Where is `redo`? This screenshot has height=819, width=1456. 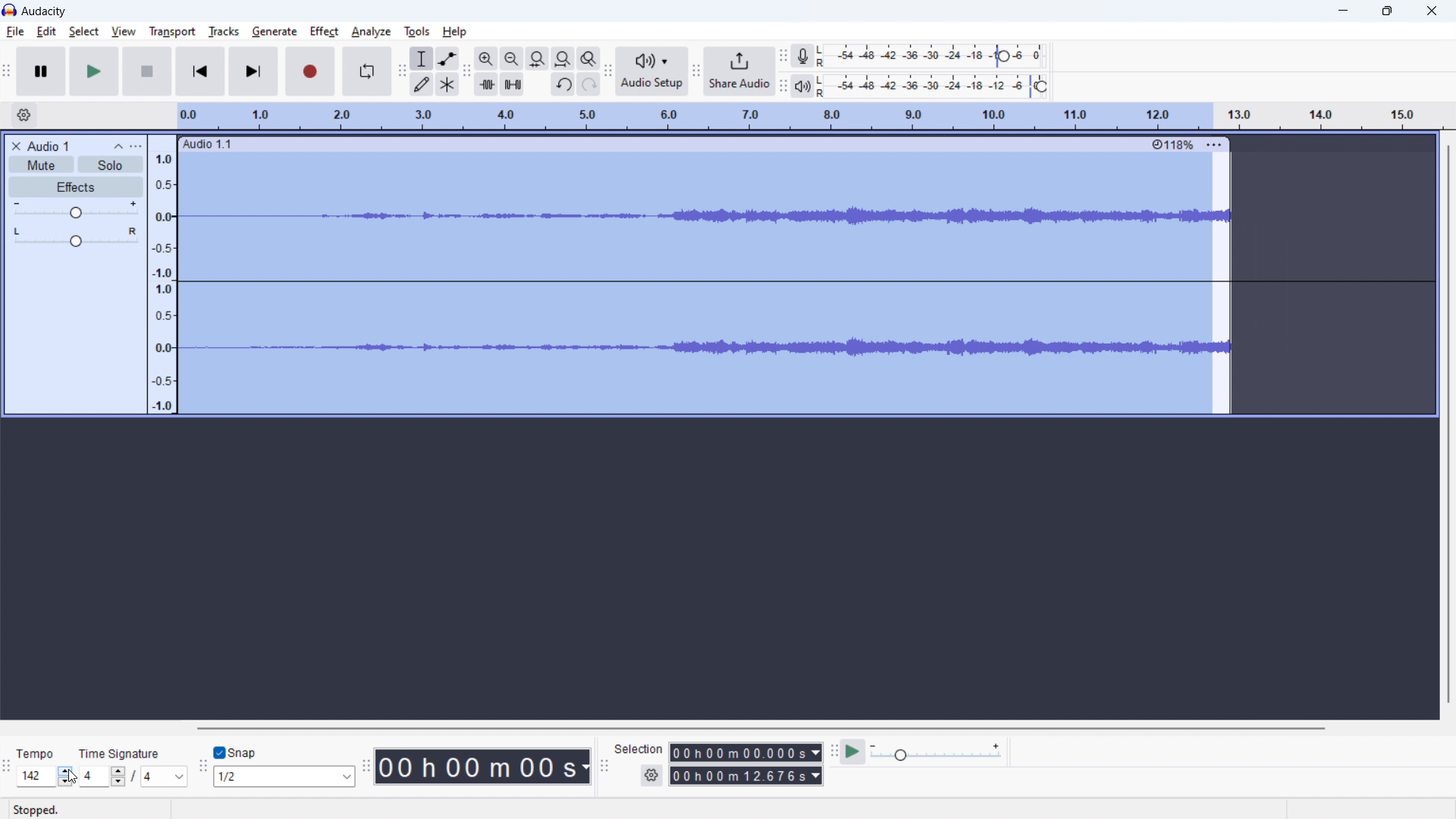 redo is located at coordinates (588, 84).